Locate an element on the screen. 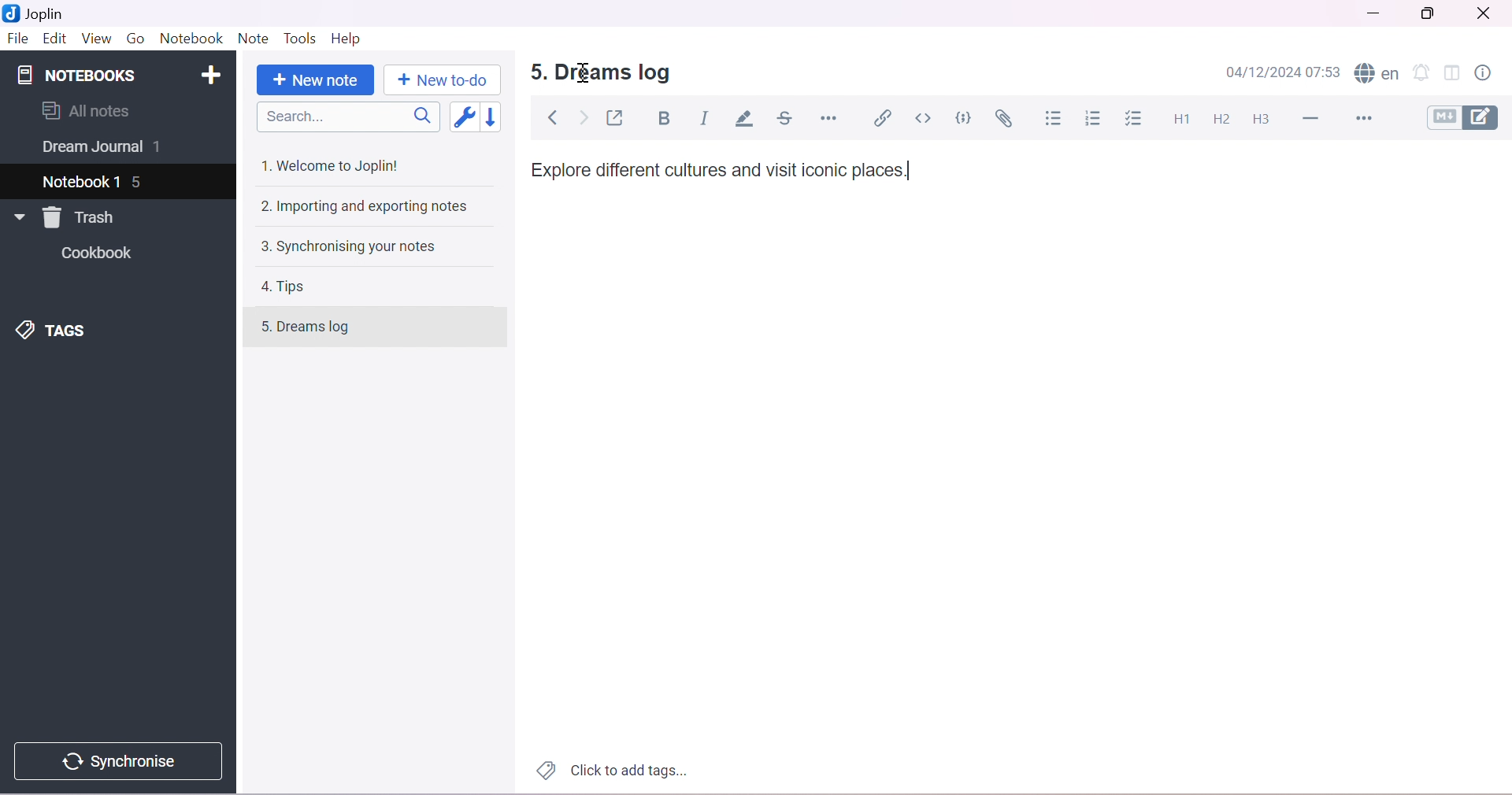  Back is located at coordinates (555, 118).